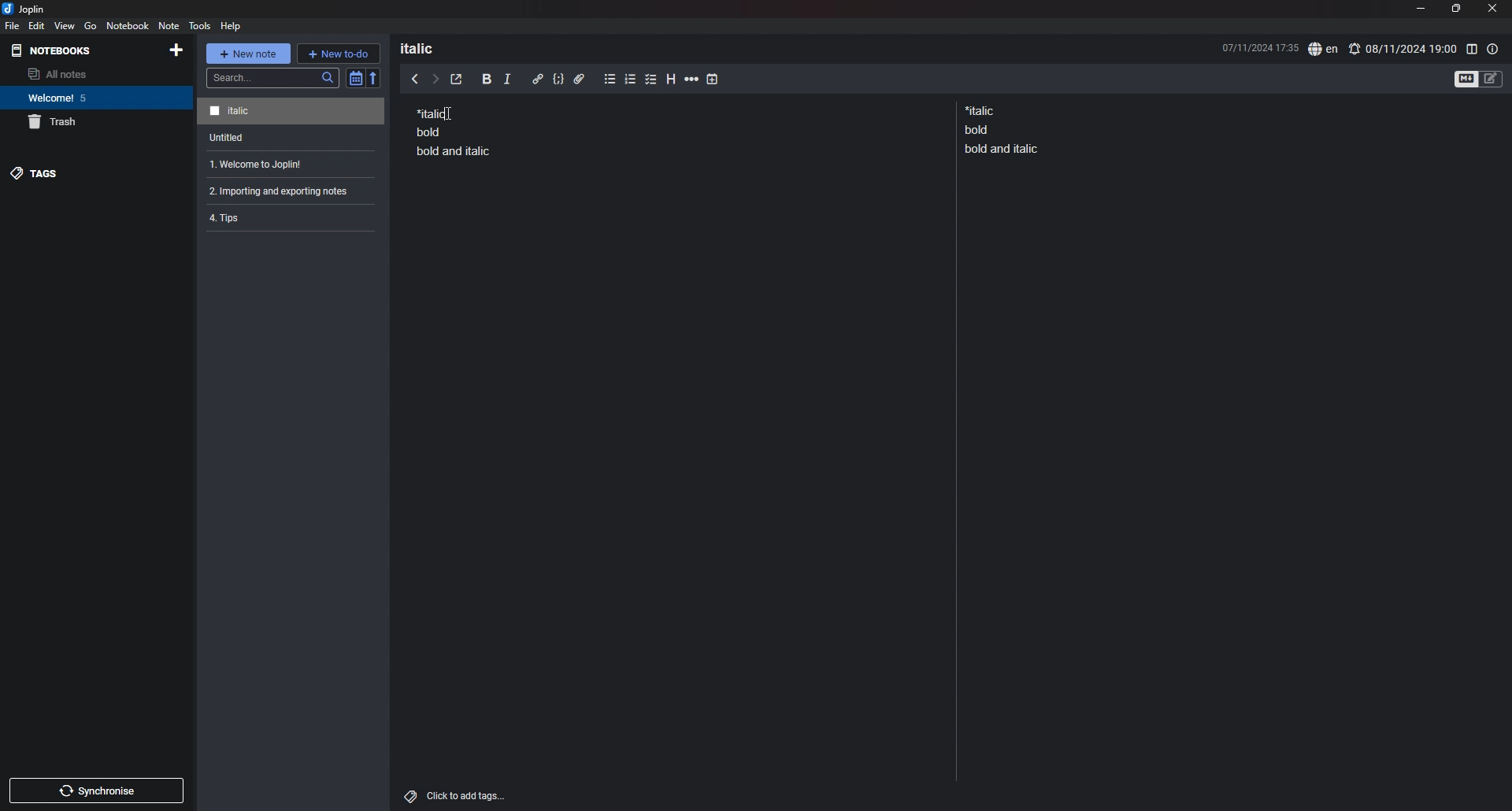 The height and width of the screenshot is (811, 1512). Describe the element at coordinates (338, 53) in the screenshot. I see `new todo` at that location.